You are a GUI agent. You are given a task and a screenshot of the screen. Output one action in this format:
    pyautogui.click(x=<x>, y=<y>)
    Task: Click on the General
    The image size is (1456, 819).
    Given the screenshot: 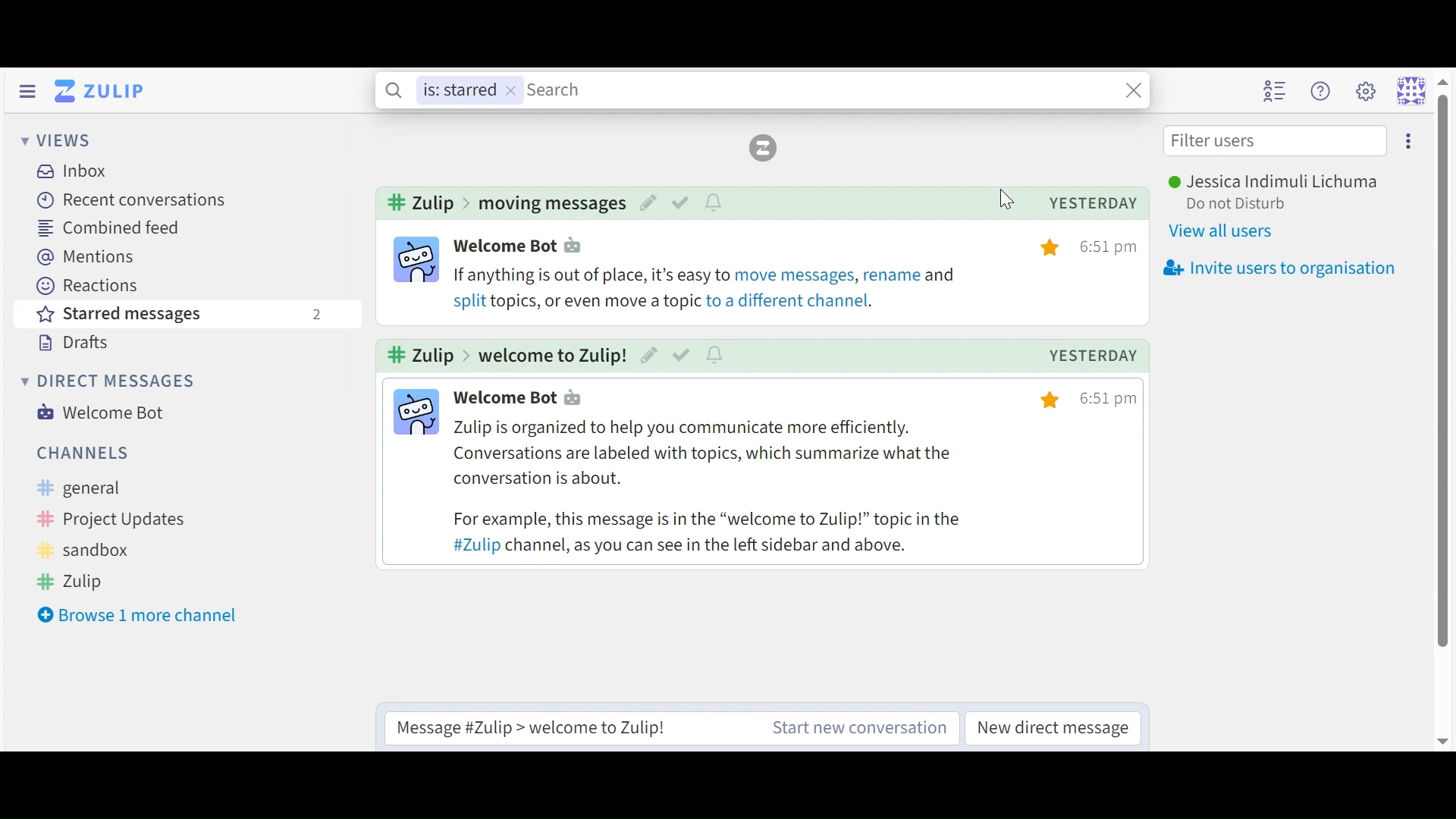 What is the action you would take?
    pyautogui.click(x=112, y=489)
    